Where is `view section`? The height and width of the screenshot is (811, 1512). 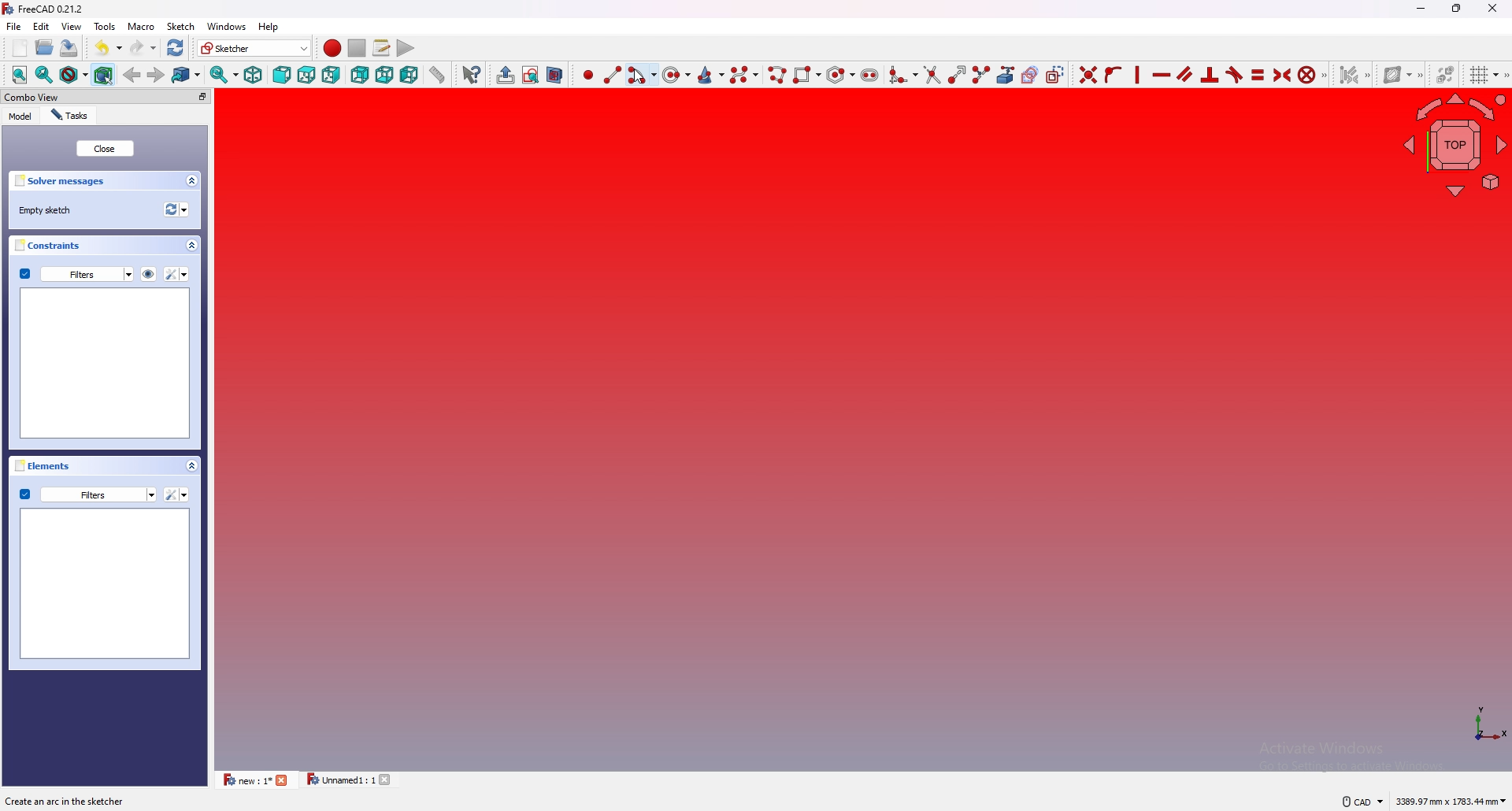
view section is located at coordinates (554, 75).